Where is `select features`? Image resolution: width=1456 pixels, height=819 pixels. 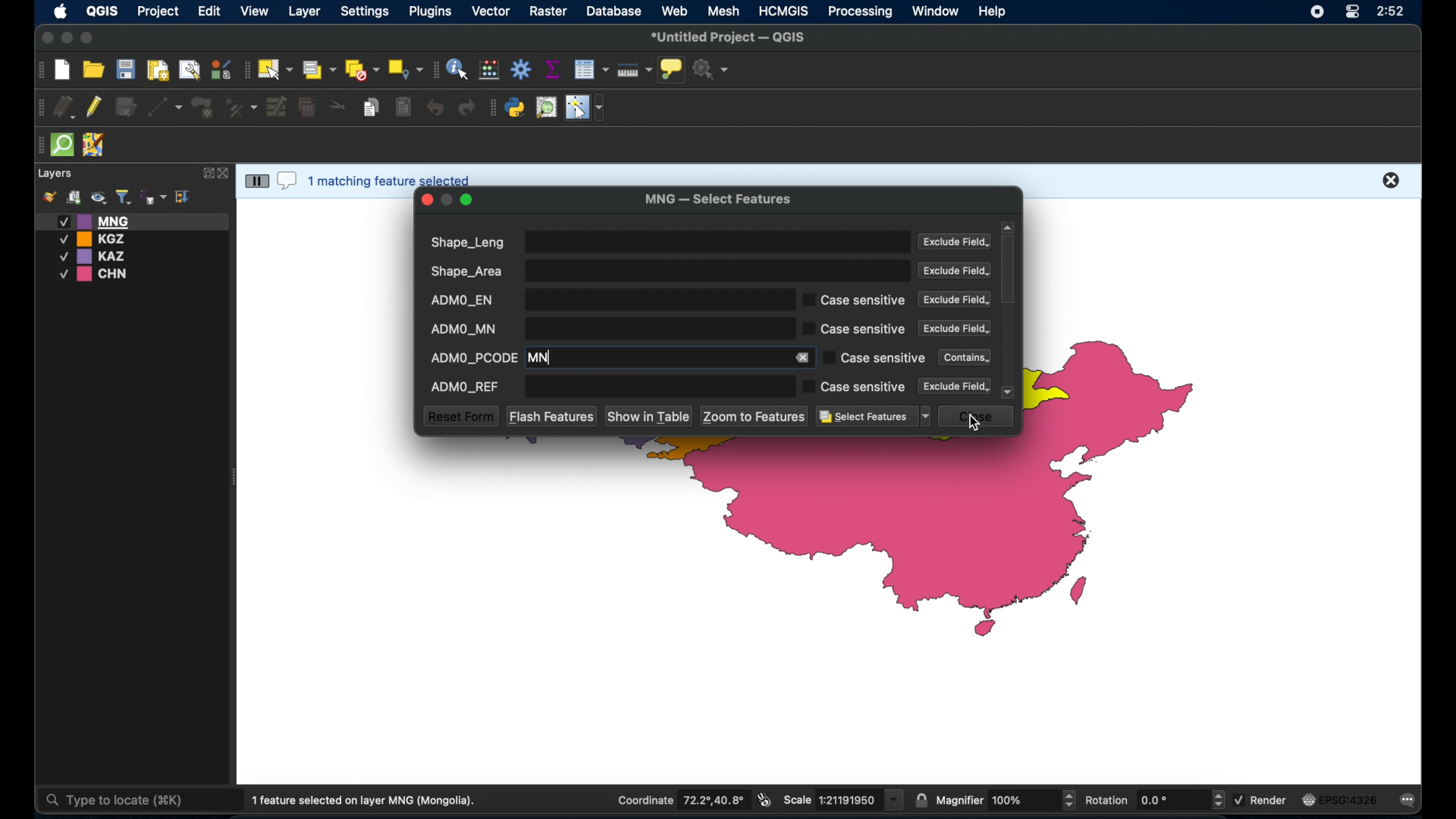
select features is located at coordinates (874, 417).